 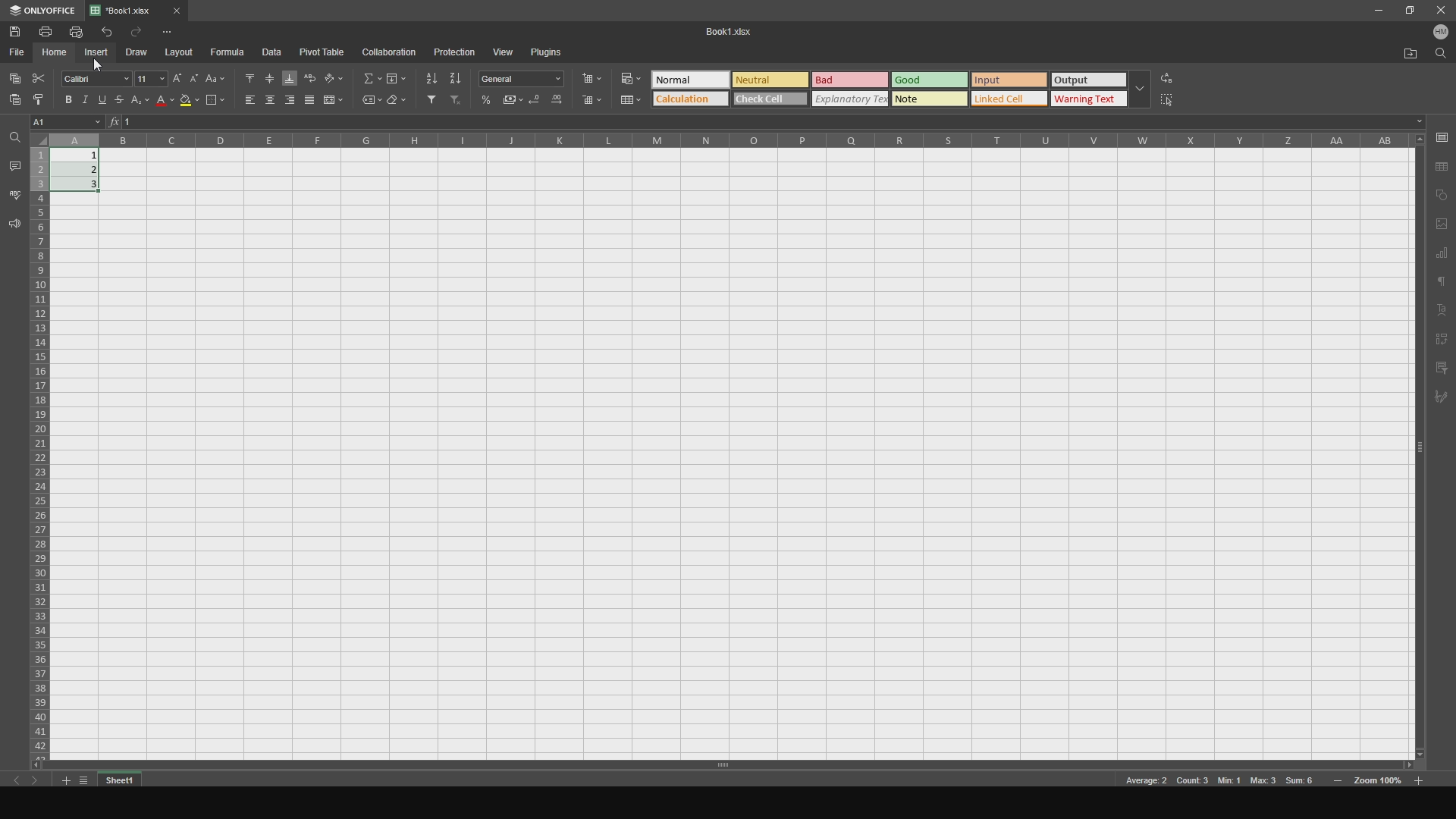 I want to click on align top, so click(x=246, y=76).